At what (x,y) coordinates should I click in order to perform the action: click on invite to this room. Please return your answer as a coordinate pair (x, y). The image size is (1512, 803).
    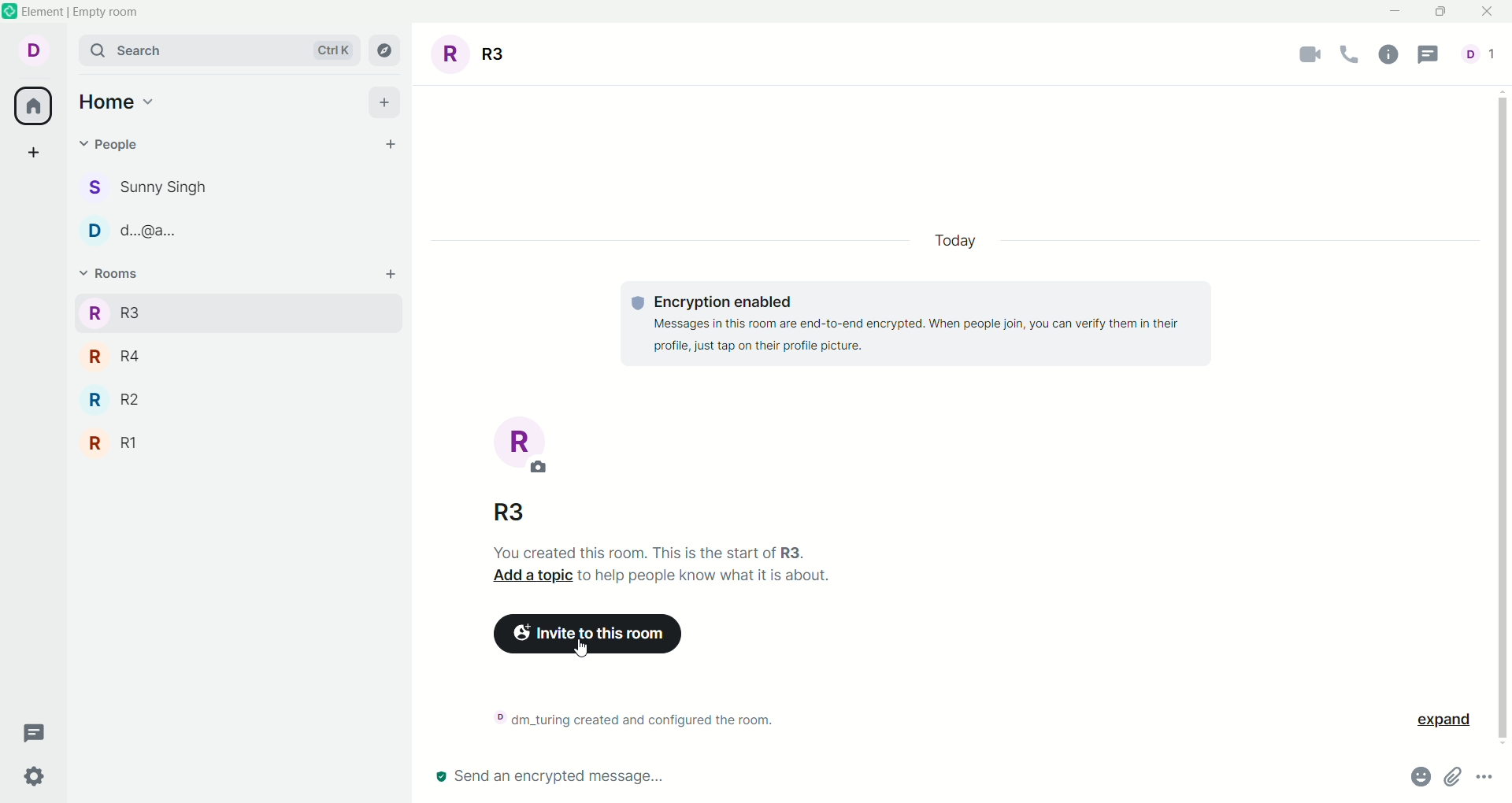
    Looking at the image, I should click on (593, 639).